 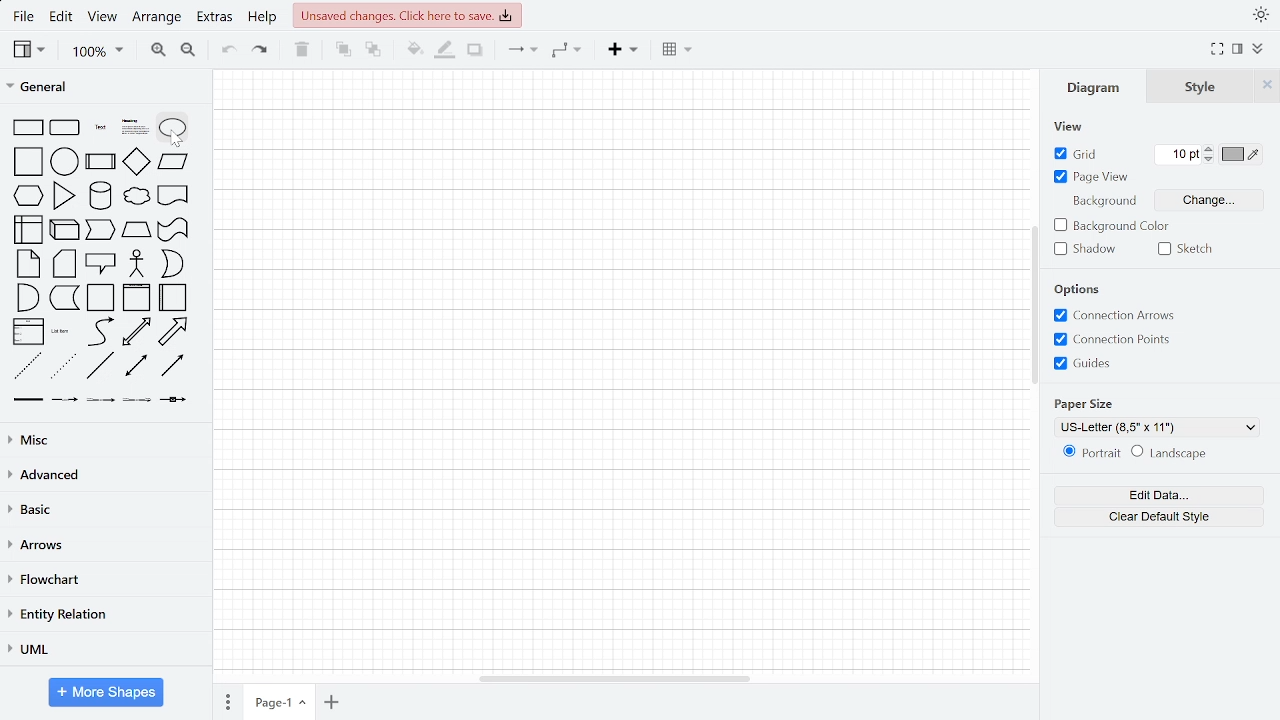 What do you see at coordinates (100, 545) in the screenshot?
I see `arrows` at bounding box center [100, 545].